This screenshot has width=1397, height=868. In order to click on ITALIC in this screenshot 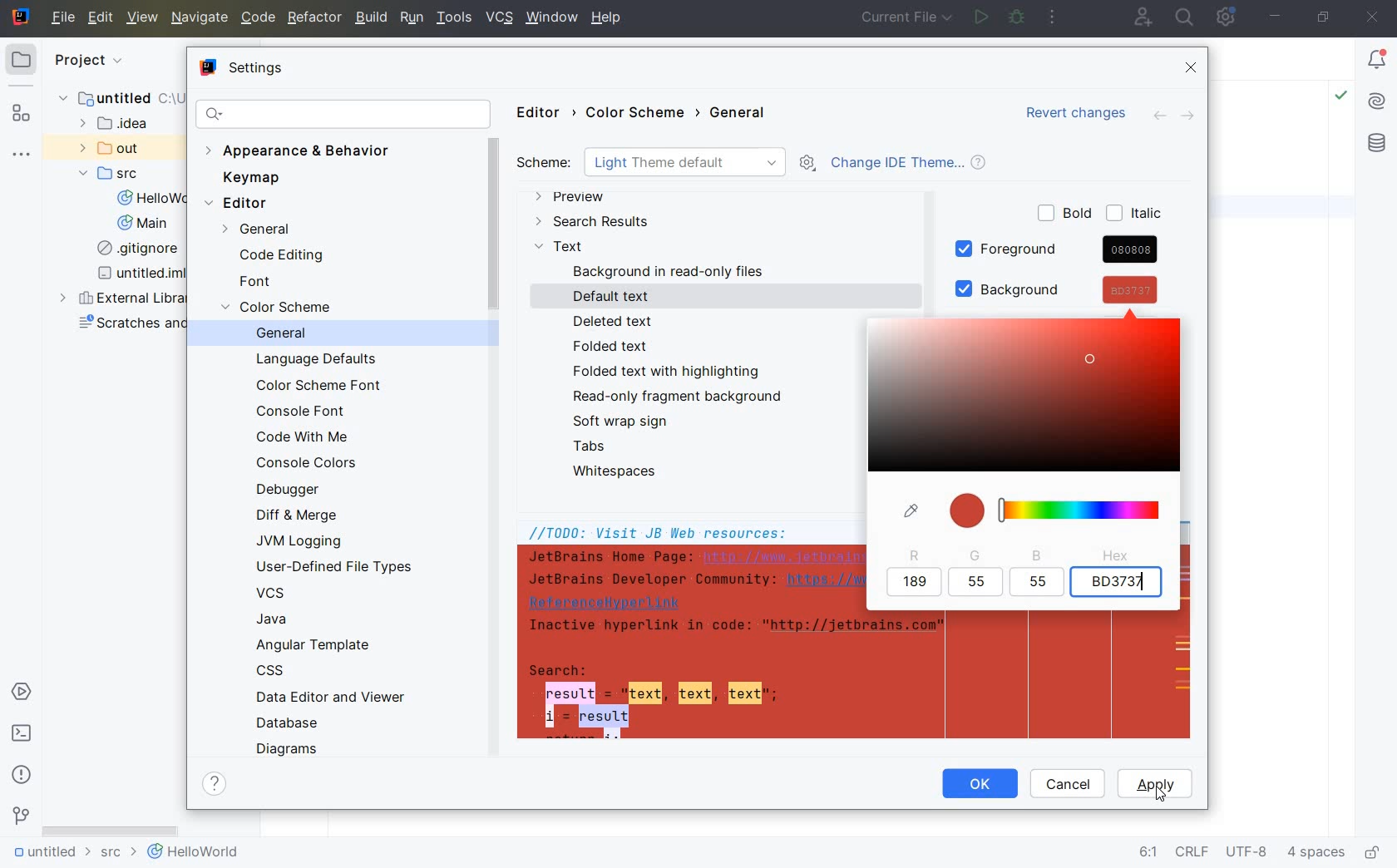, I will do `click(1137, 215)`.